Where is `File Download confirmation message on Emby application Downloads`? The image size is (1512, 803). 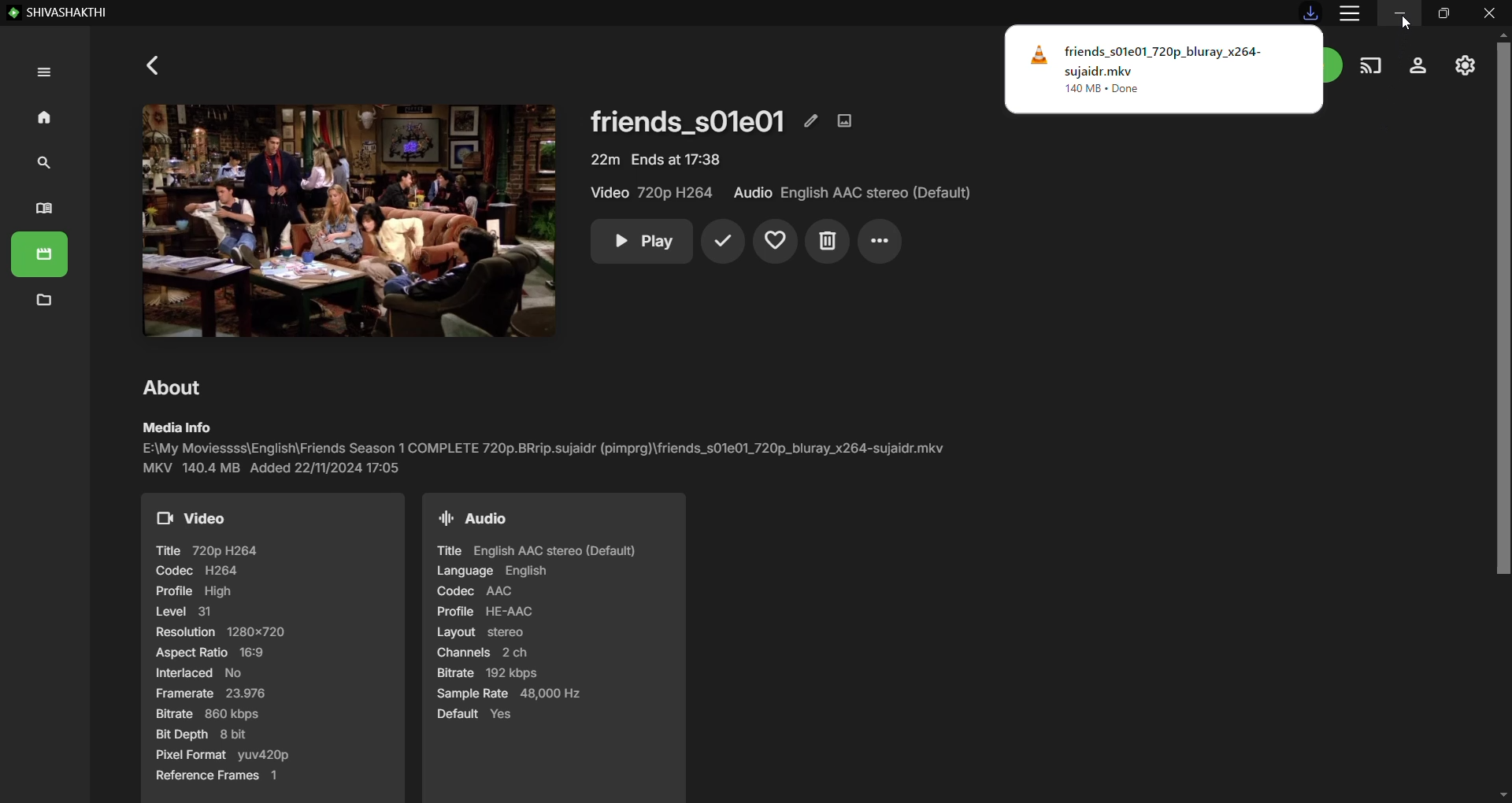 File Download confirmation message on Emby application Downloads is located at coordinates (1164, 69).